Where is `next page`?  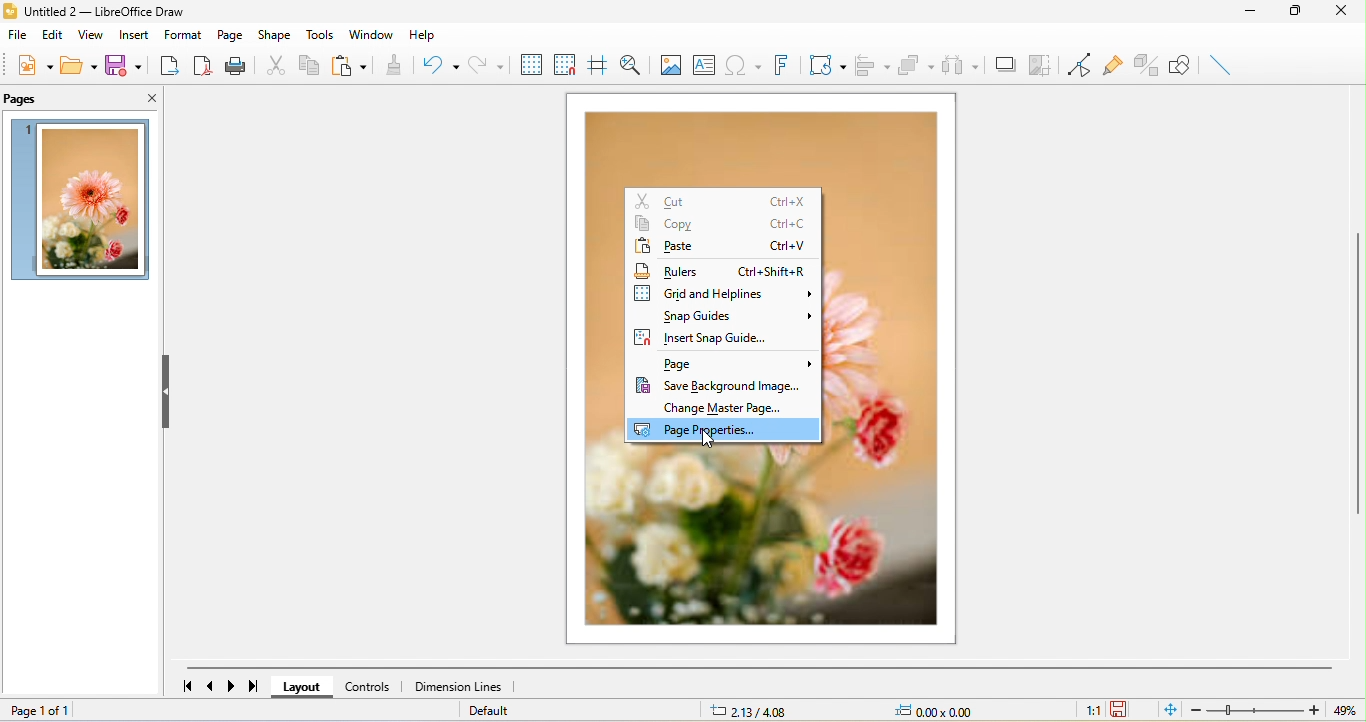 next page is located at coordinates (229, 686).